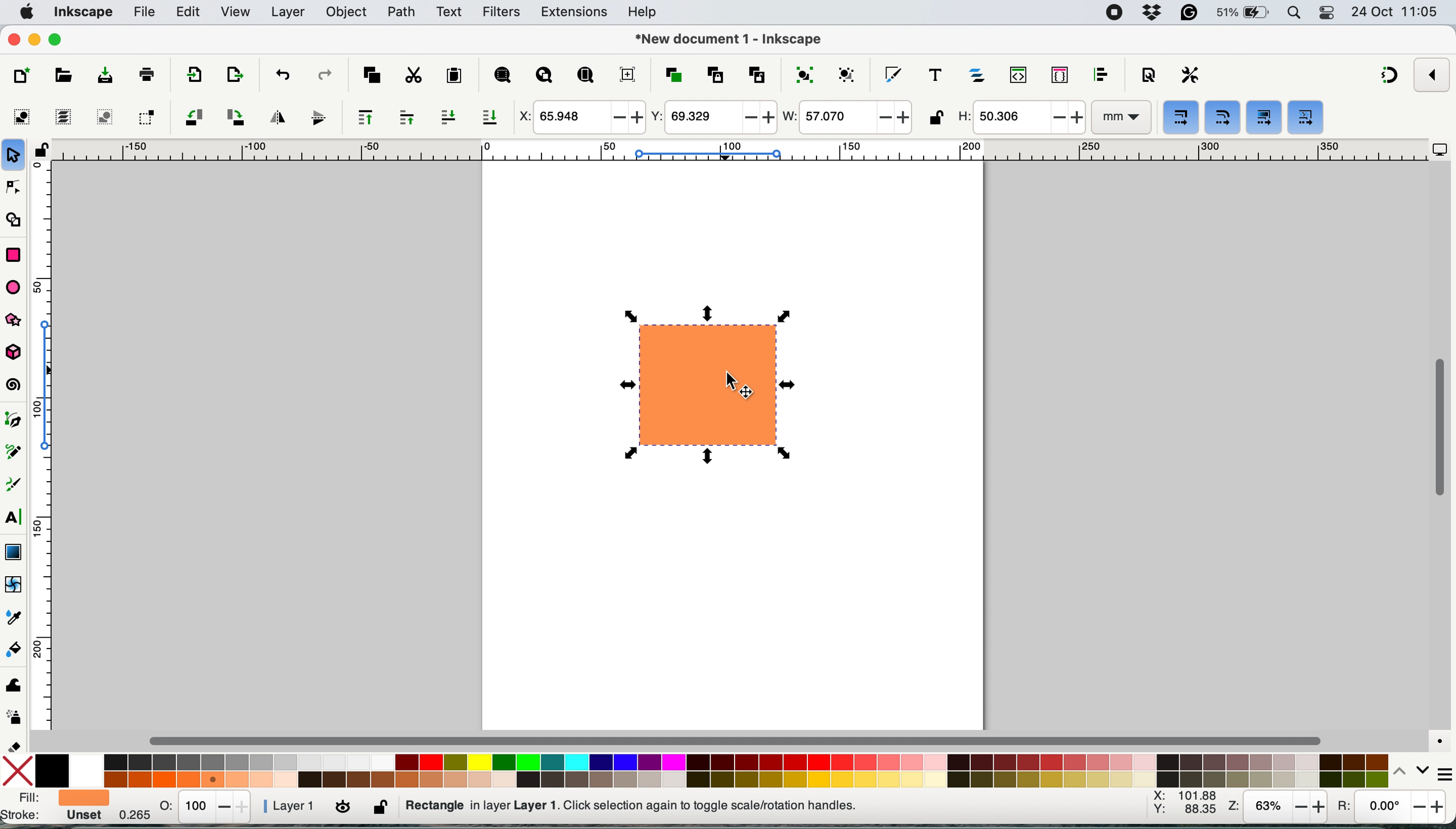 This screenshot has height=829, width=1456. I want to click on mesh tool, so click(15, 586).